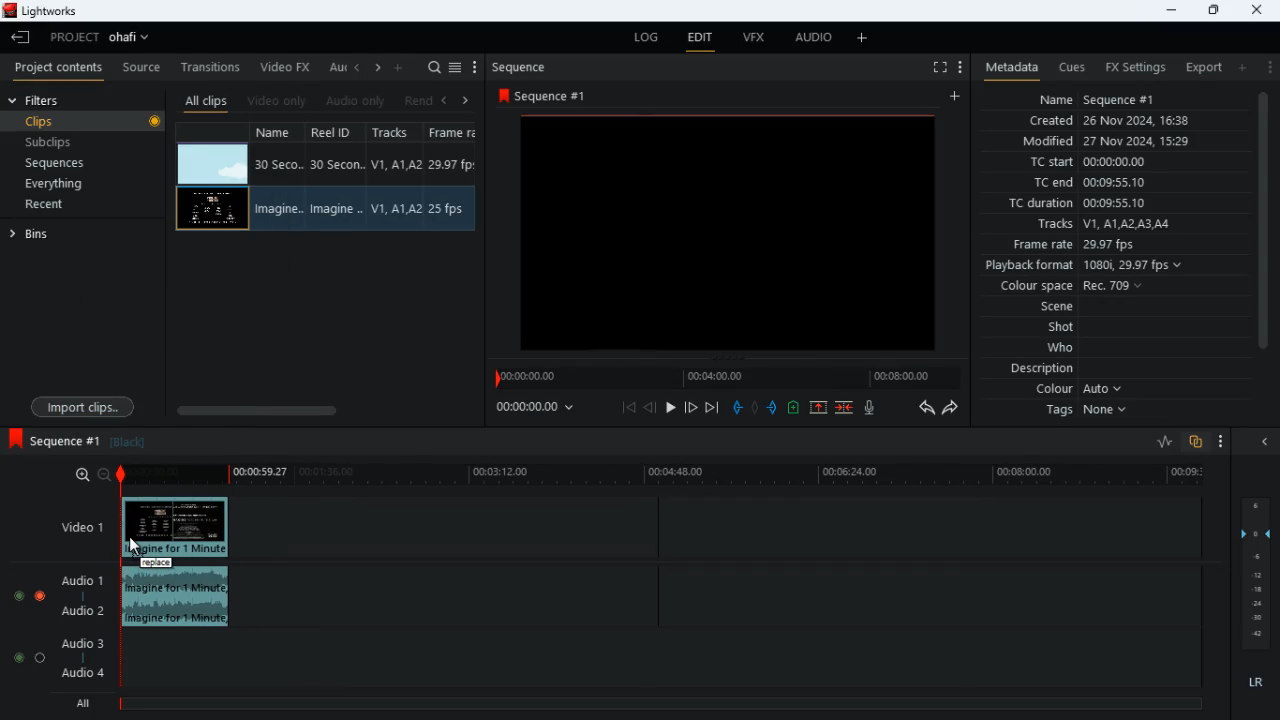 The image size is (1280, 720). What do you see at coordinates (338, 132) in the screenshot?
I see `real id` at bounding box center [338, 132].